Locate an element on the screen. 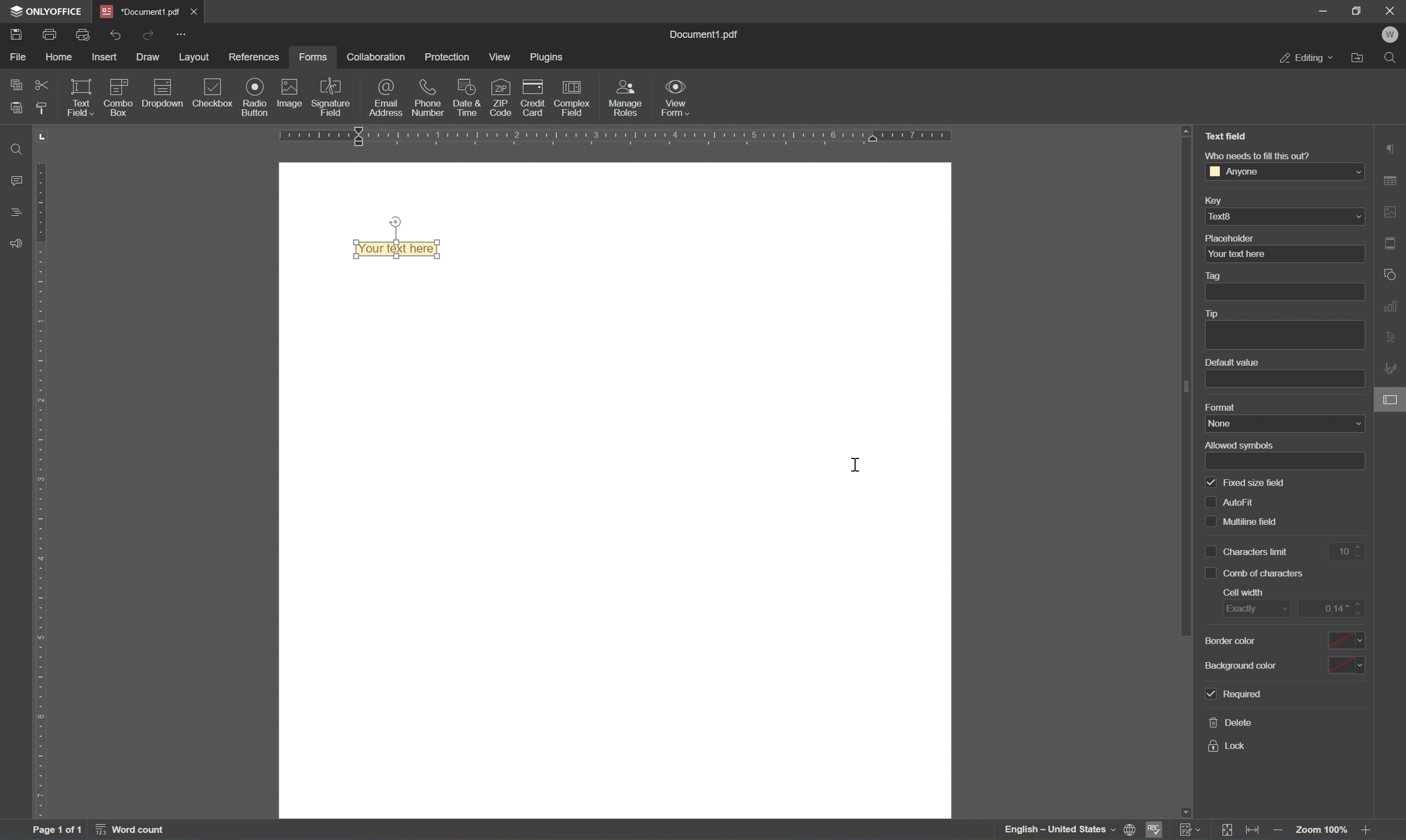 The width and height of the screenshot is (1406, 840). credit card is located at coordinates (531, 101).